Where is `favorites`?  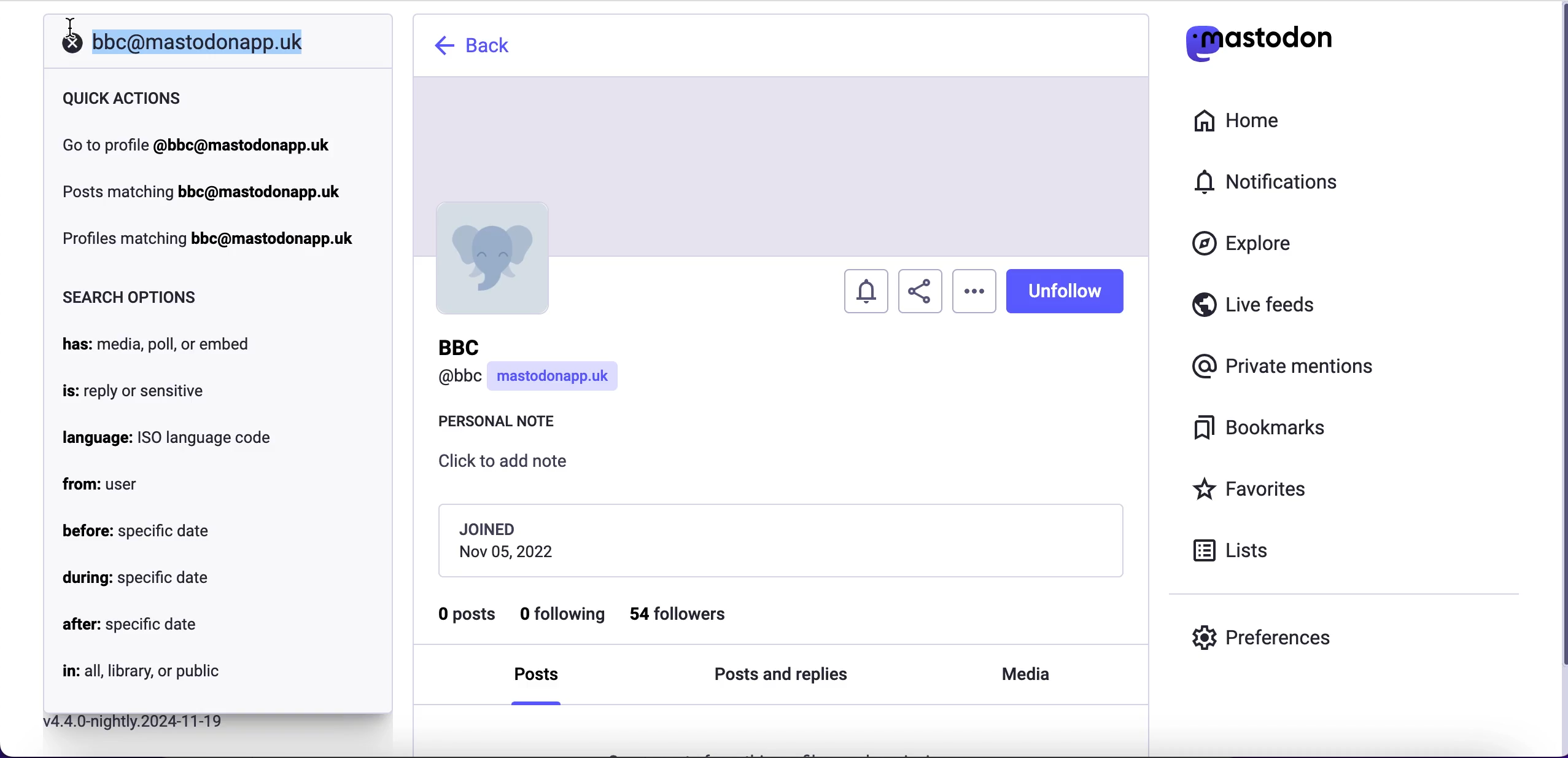 favorites is located at coordinates (1254, 491).